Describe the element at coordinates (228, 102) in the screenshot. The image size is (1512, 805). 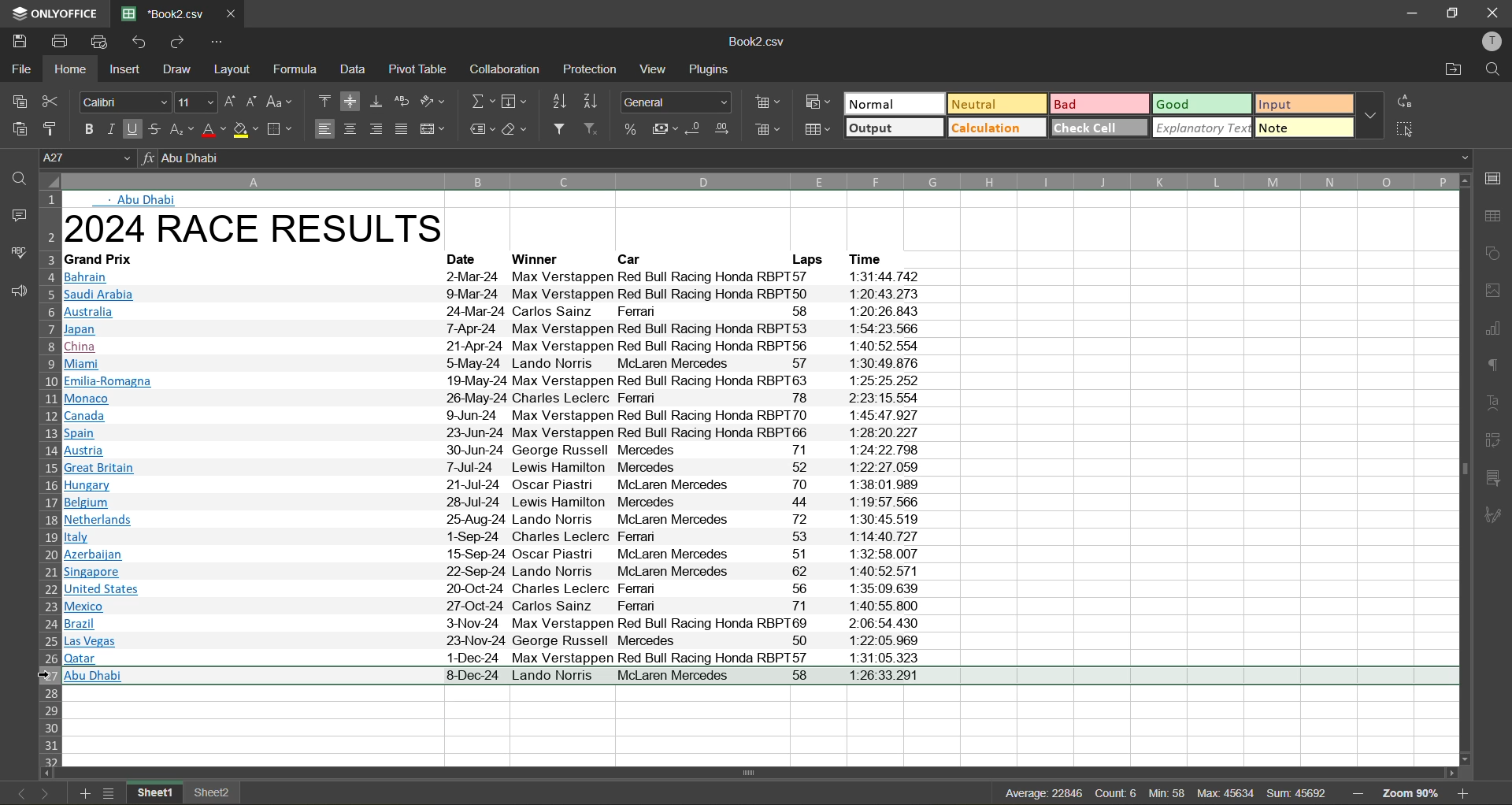
I see `increment size` at that location.